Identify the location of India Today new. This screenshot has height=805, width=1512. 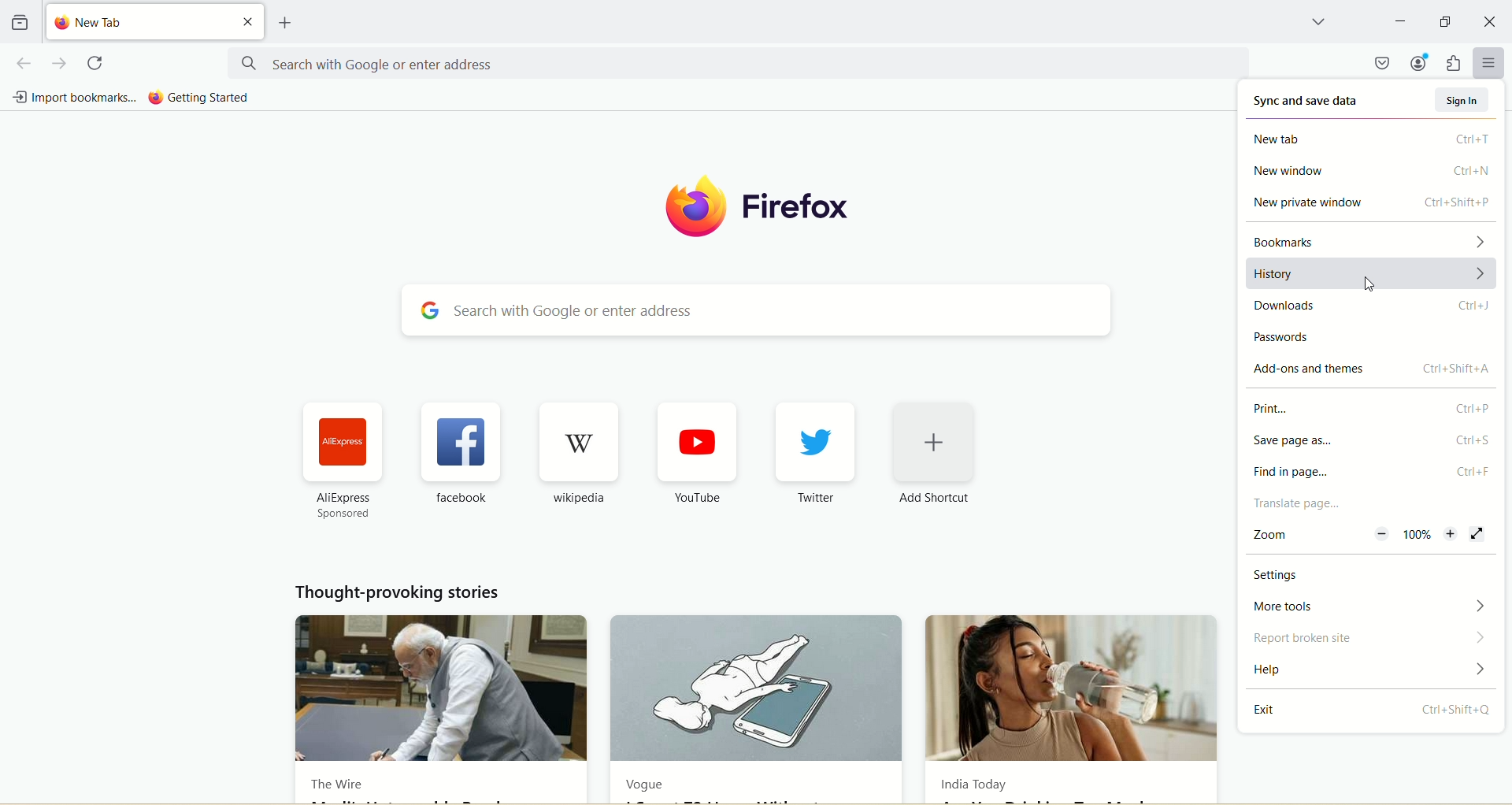
(1076, 688).